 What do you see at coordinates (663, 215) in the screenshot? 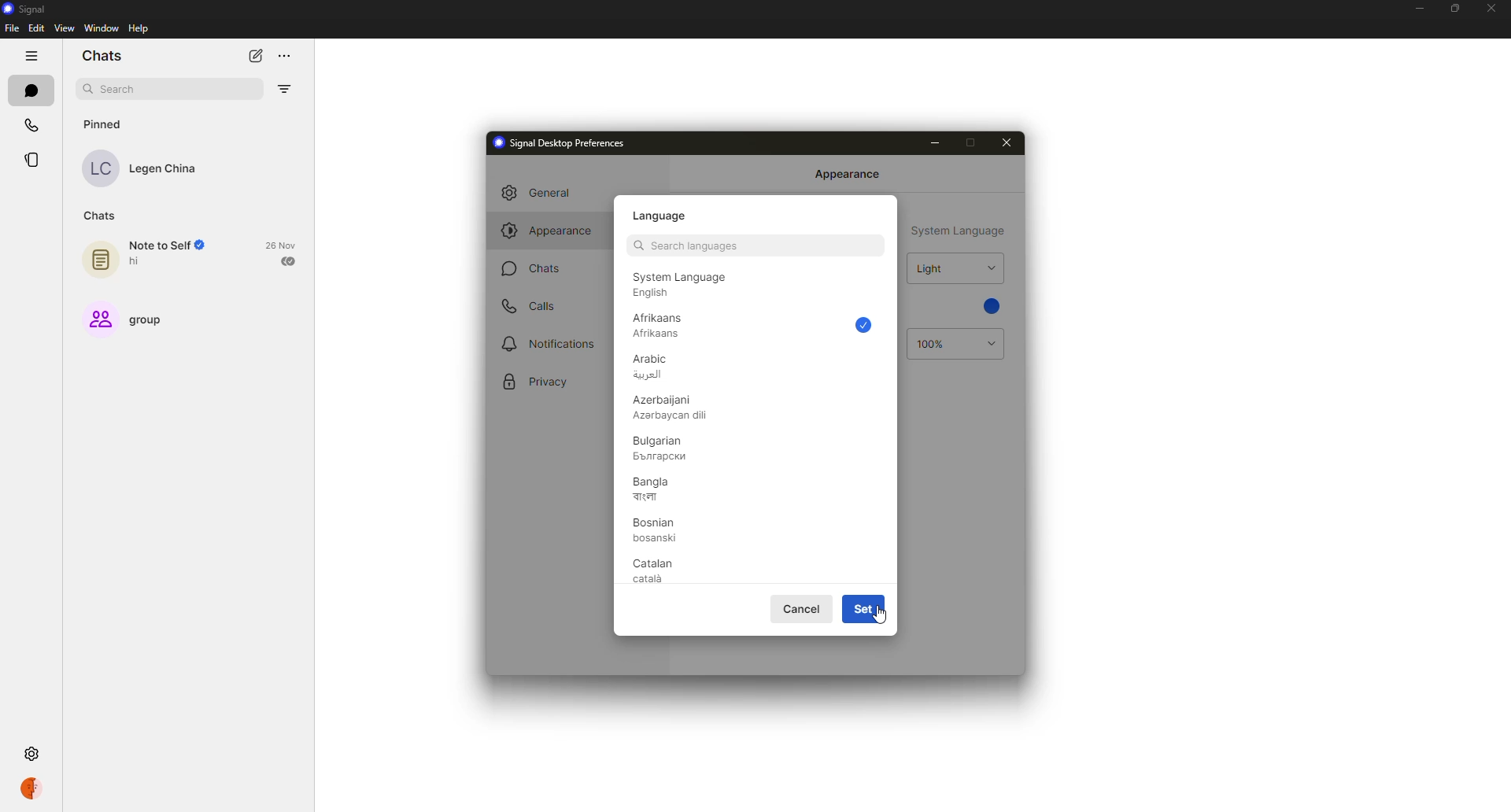
I see `language` at bounding box center [663, 215].